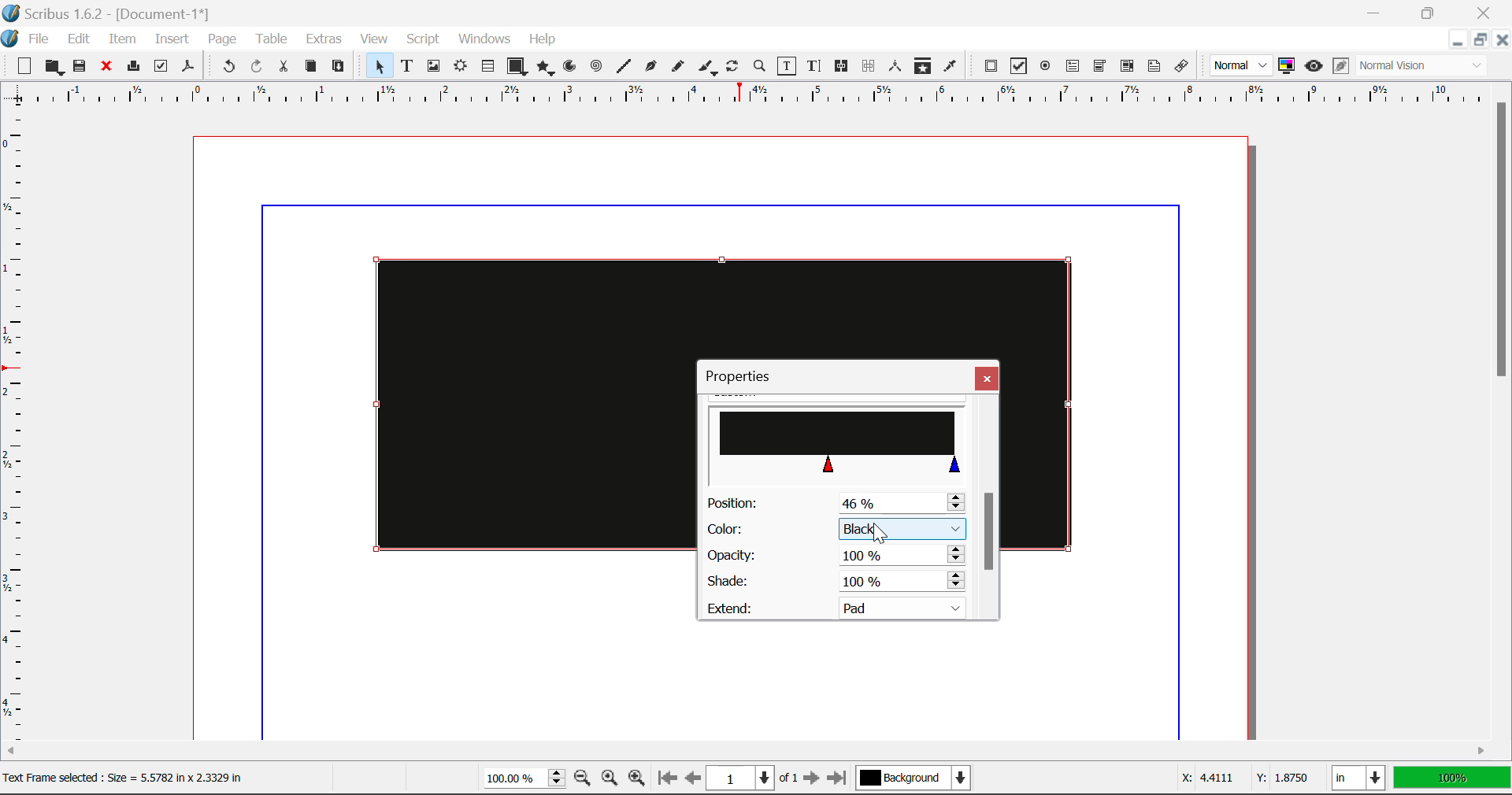 The image size is (1512, 795). What do you see at coordinates (1099, 68) in the screenshot?
I see `PDF Combo Box` at bounding box center [1099, 68].